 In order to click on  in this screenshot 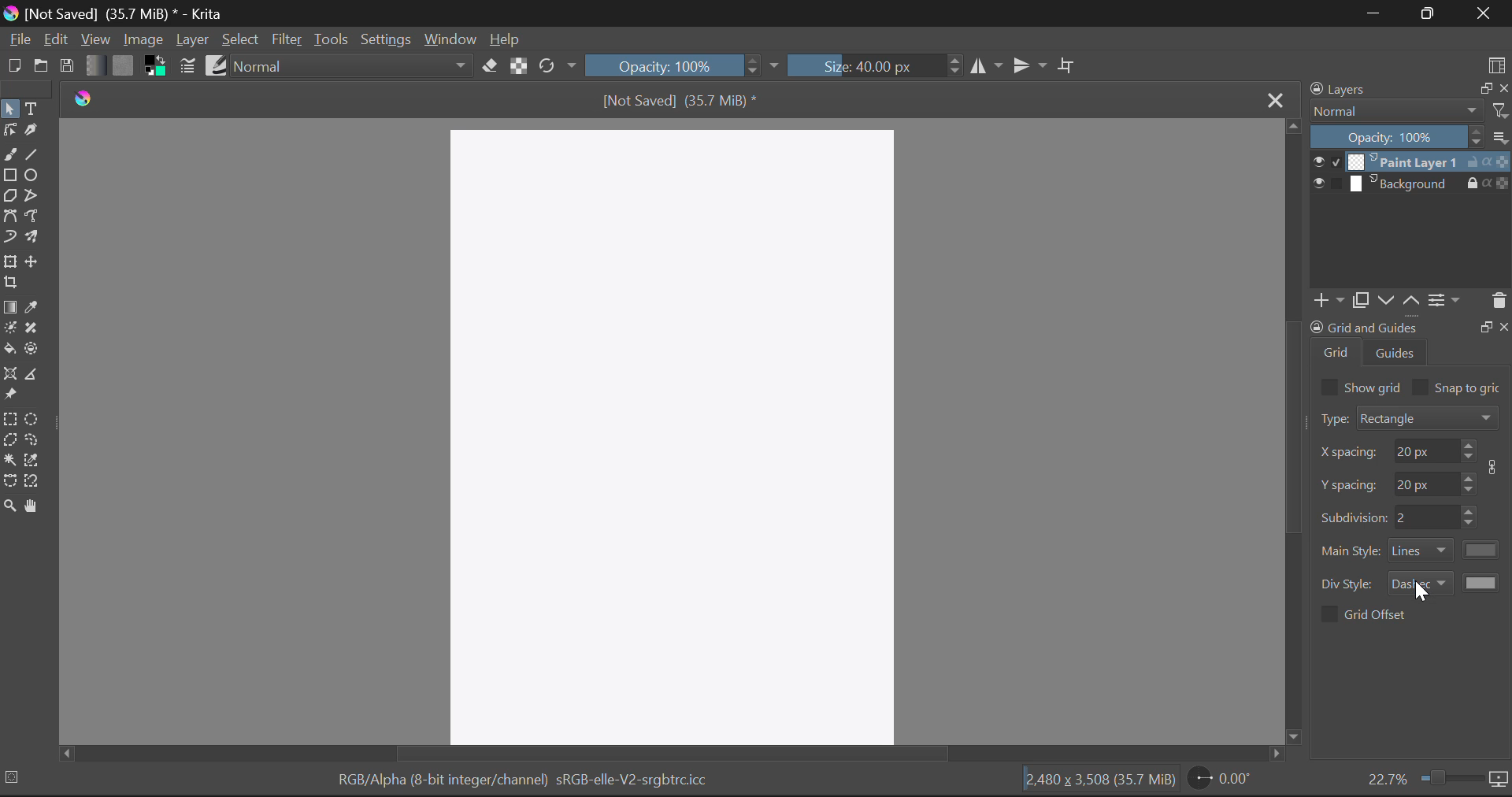, I will do `click(1505, 325)`.